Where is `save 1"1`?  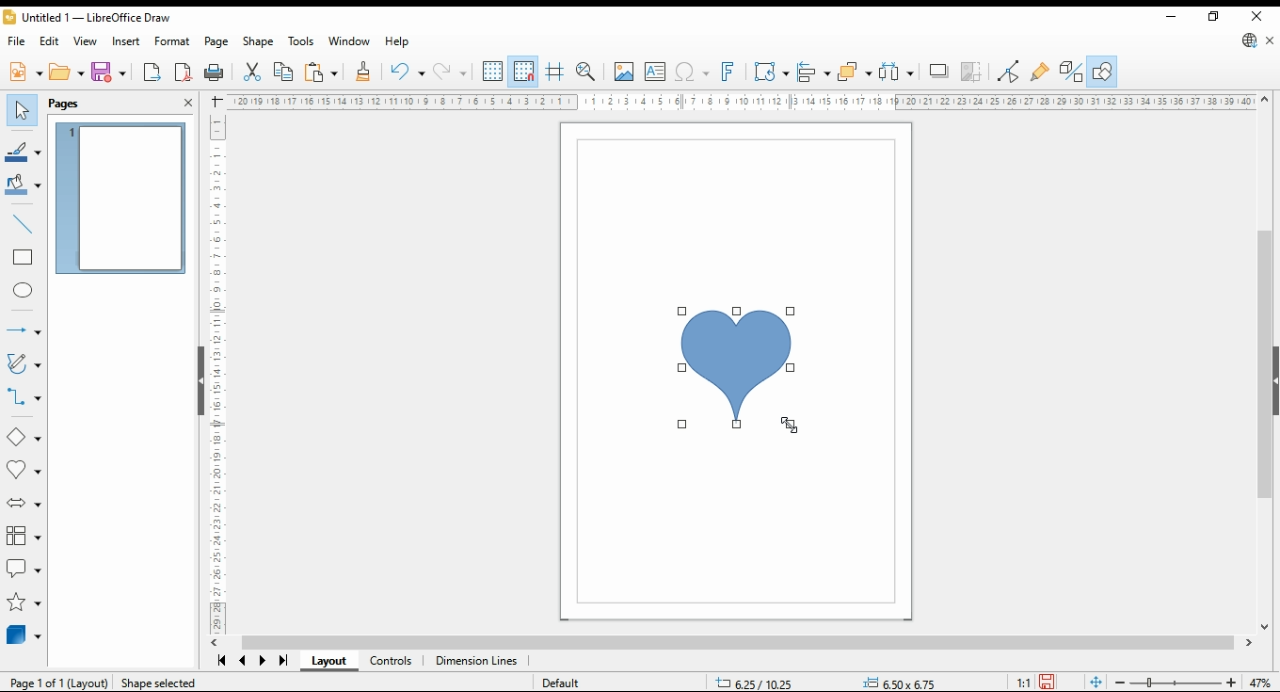
save 1"1 is located at coordinates (1032, 677).